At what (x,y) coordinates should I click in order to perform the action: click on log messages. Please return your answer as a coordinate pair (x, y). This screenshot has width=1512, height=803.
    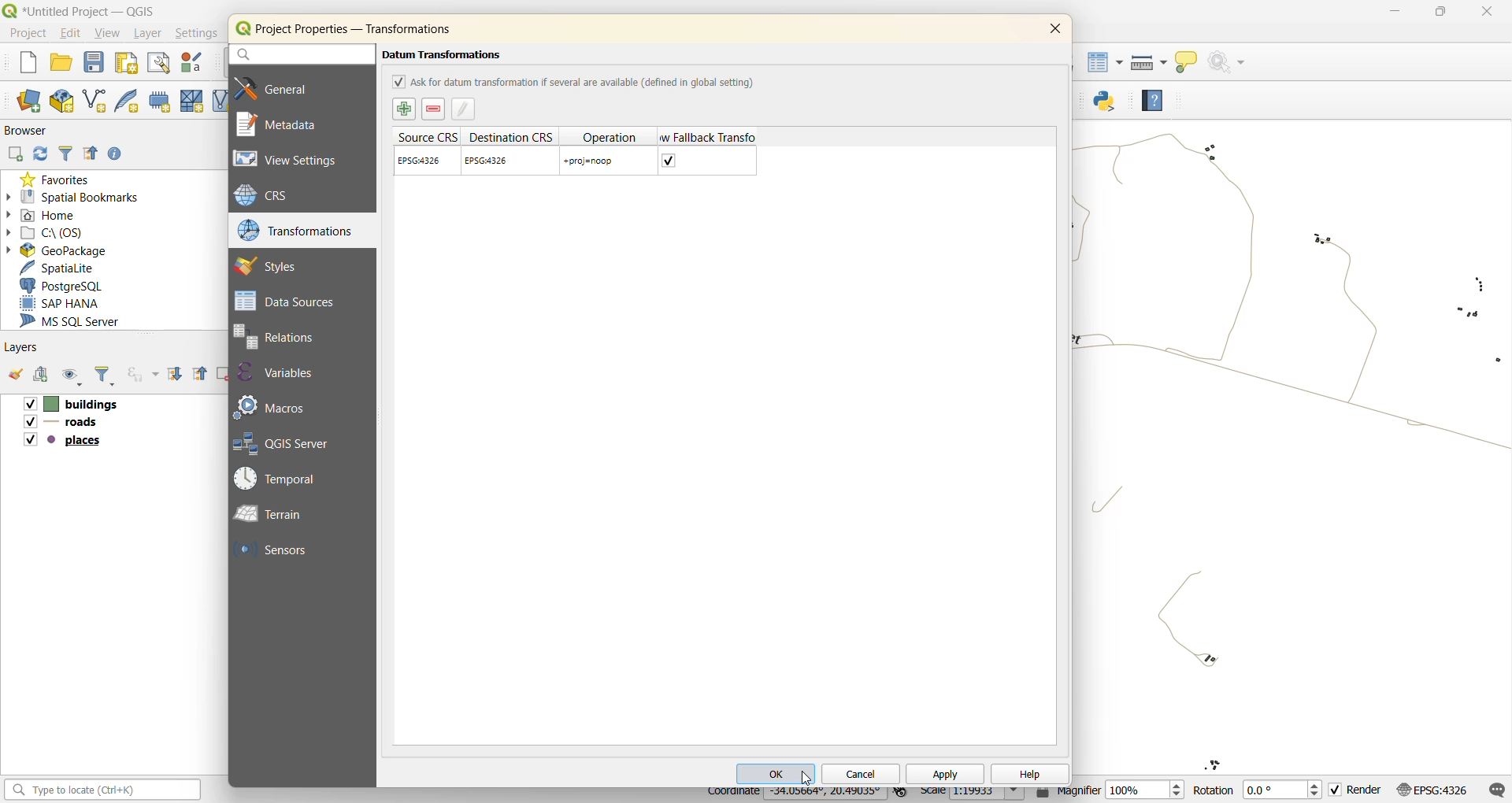
    Looking at the image, I should click on (1495, 789).